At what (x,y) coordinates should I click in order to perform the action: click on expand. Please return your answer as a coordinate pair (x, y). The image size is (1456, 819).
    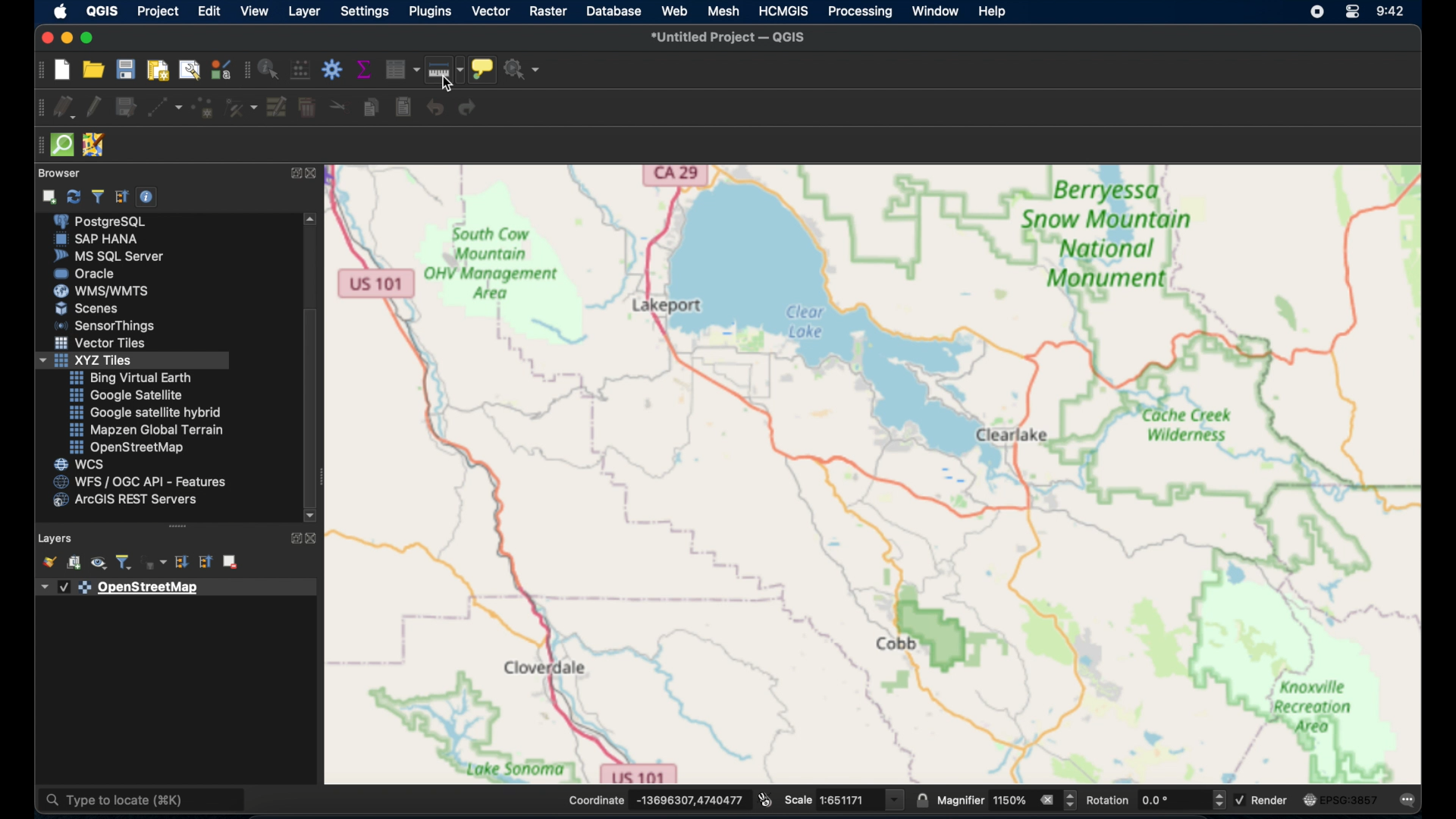
    Looking at the image, I should click on (293, 538).